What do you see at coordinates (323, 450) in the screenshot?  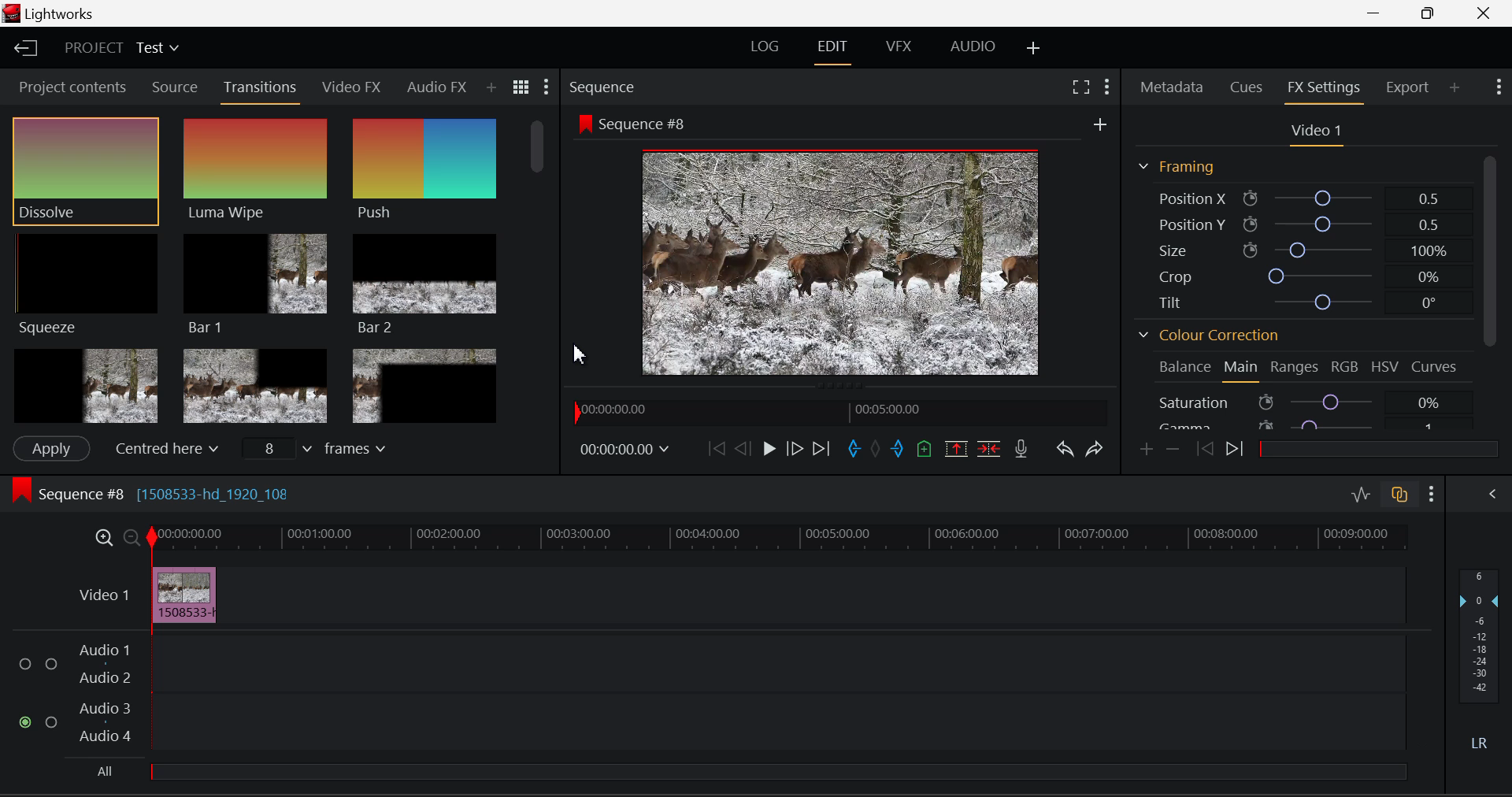 I see `frames input` at bounding box center [323, 450].